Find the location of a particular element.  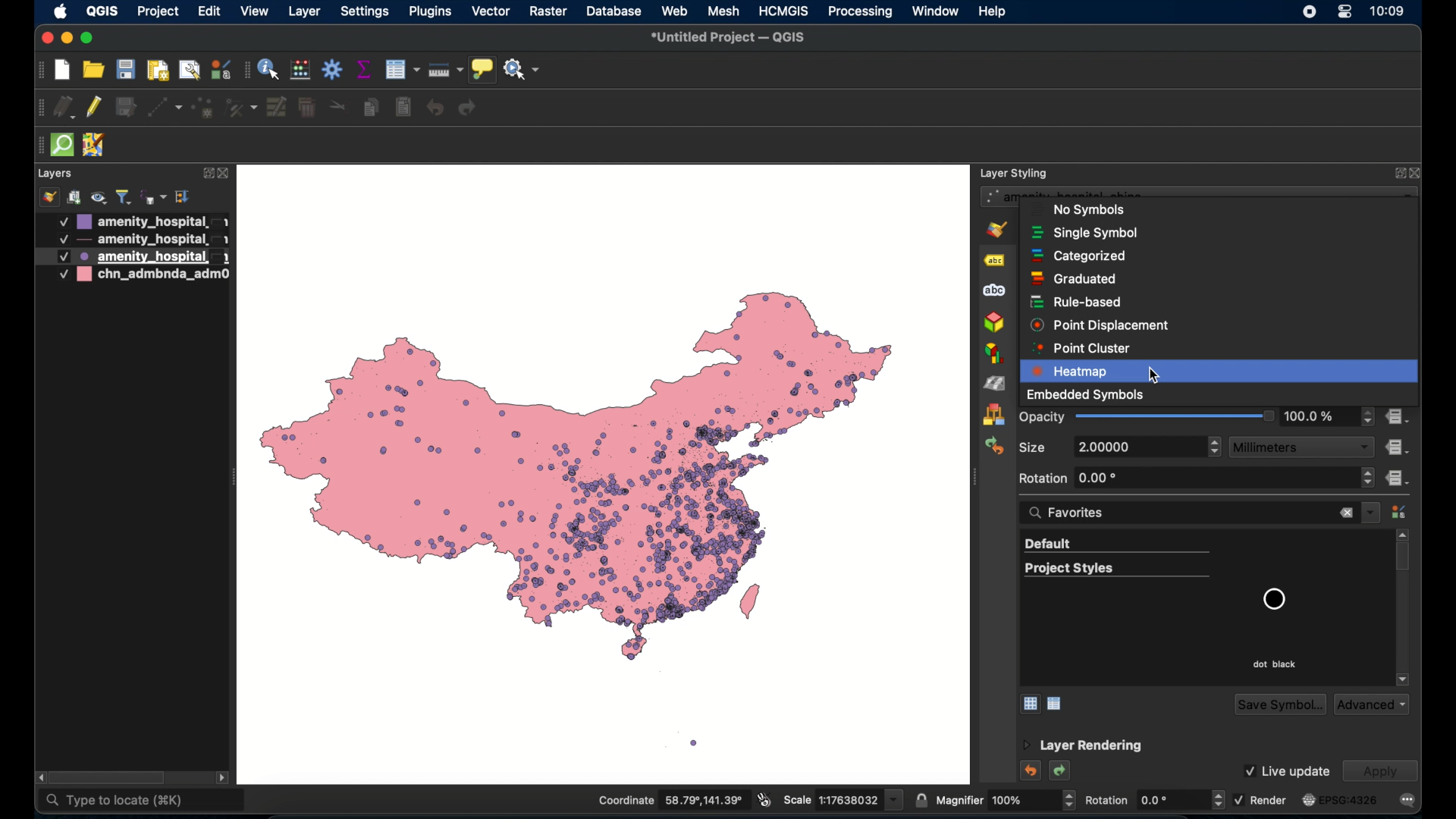

show statistical summary is located at coordinates (365, 70).